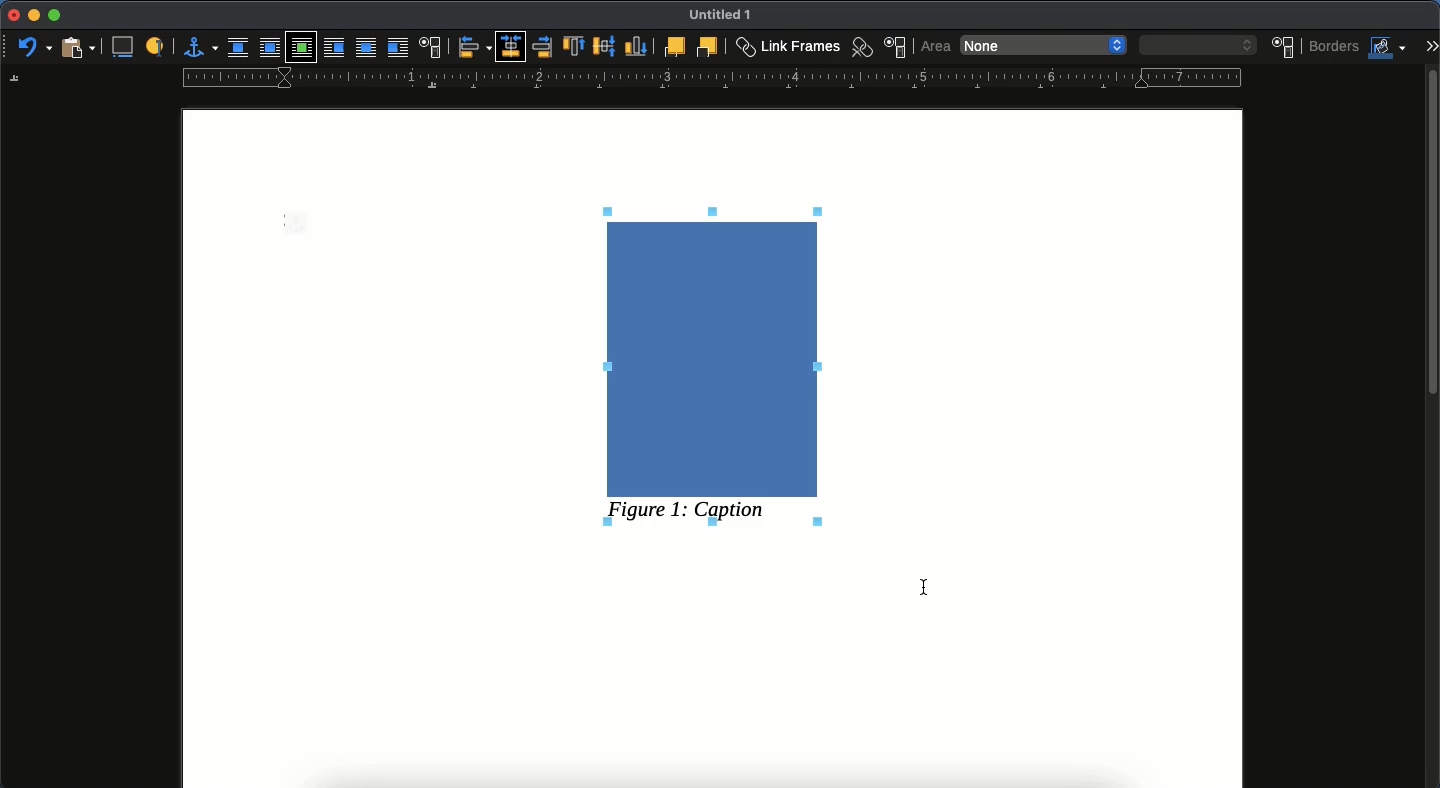 The width and height of the screenshot is (1440, 788). What do you see at coordinates (711, 359) in the screenshot?
I see `image` at bounding box center [711, 359].